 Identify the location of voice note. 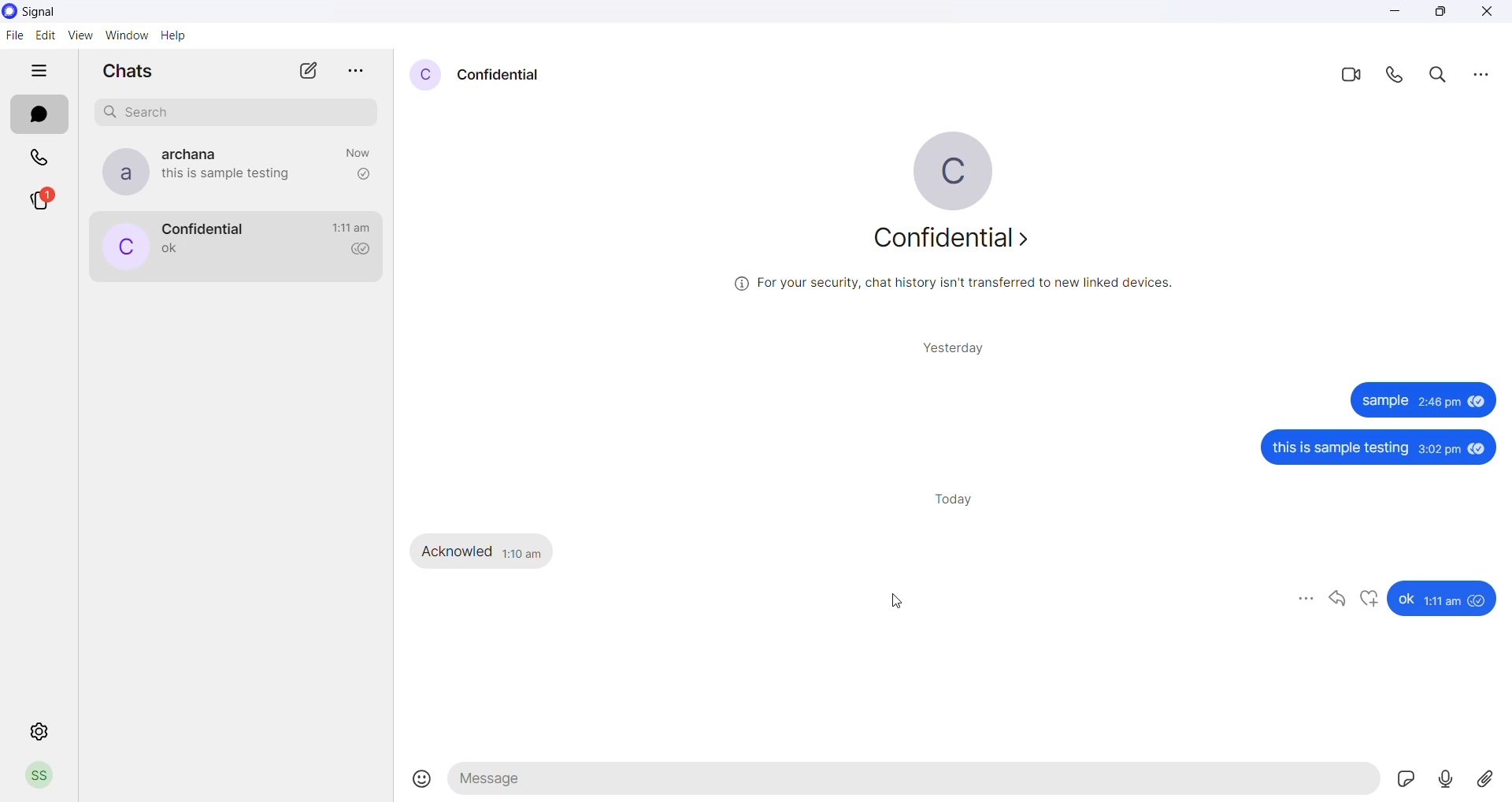
(1449, 779).